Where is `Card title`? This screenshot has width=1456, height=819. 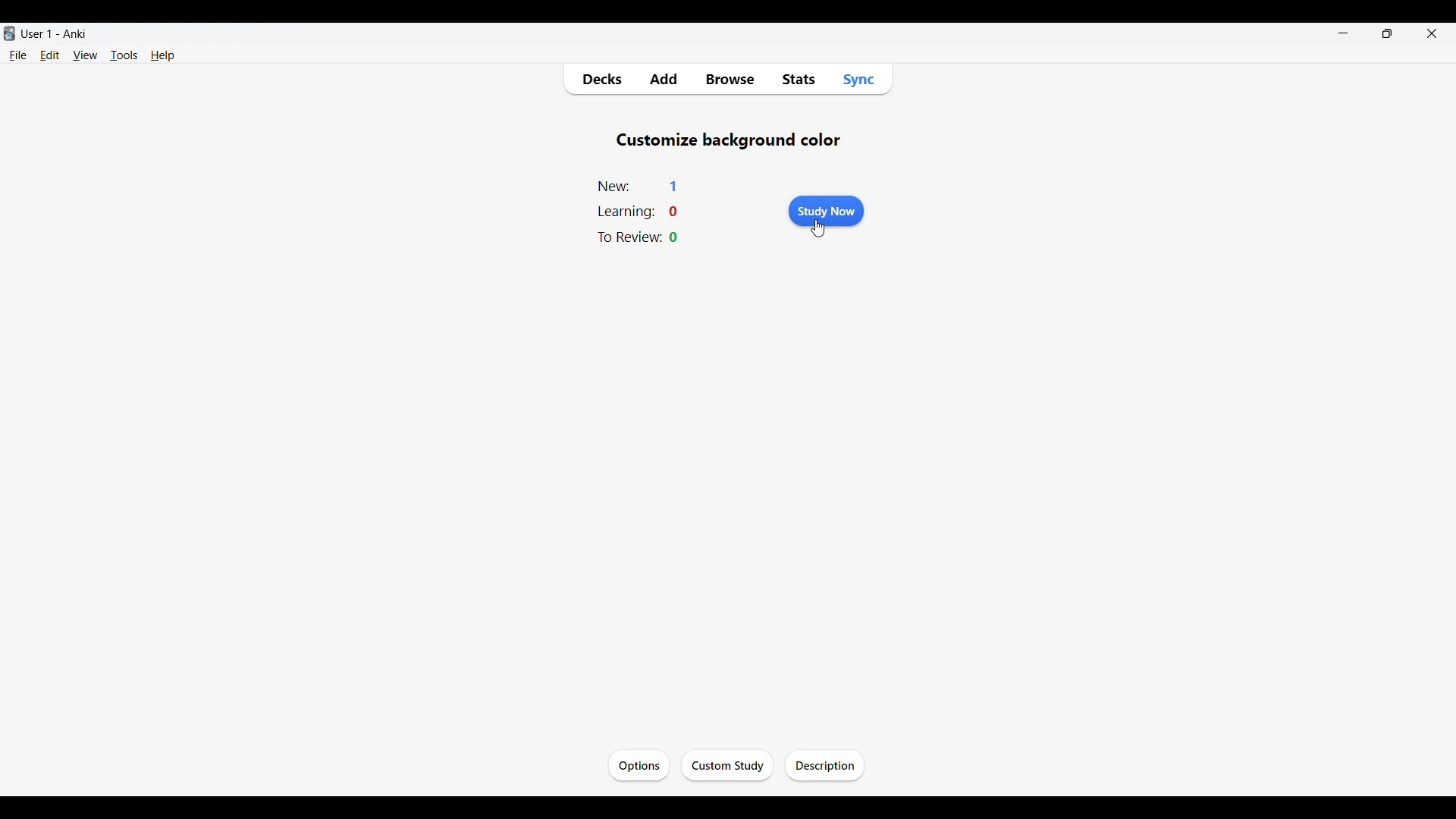 Card title is located at coordinates (728, 141).